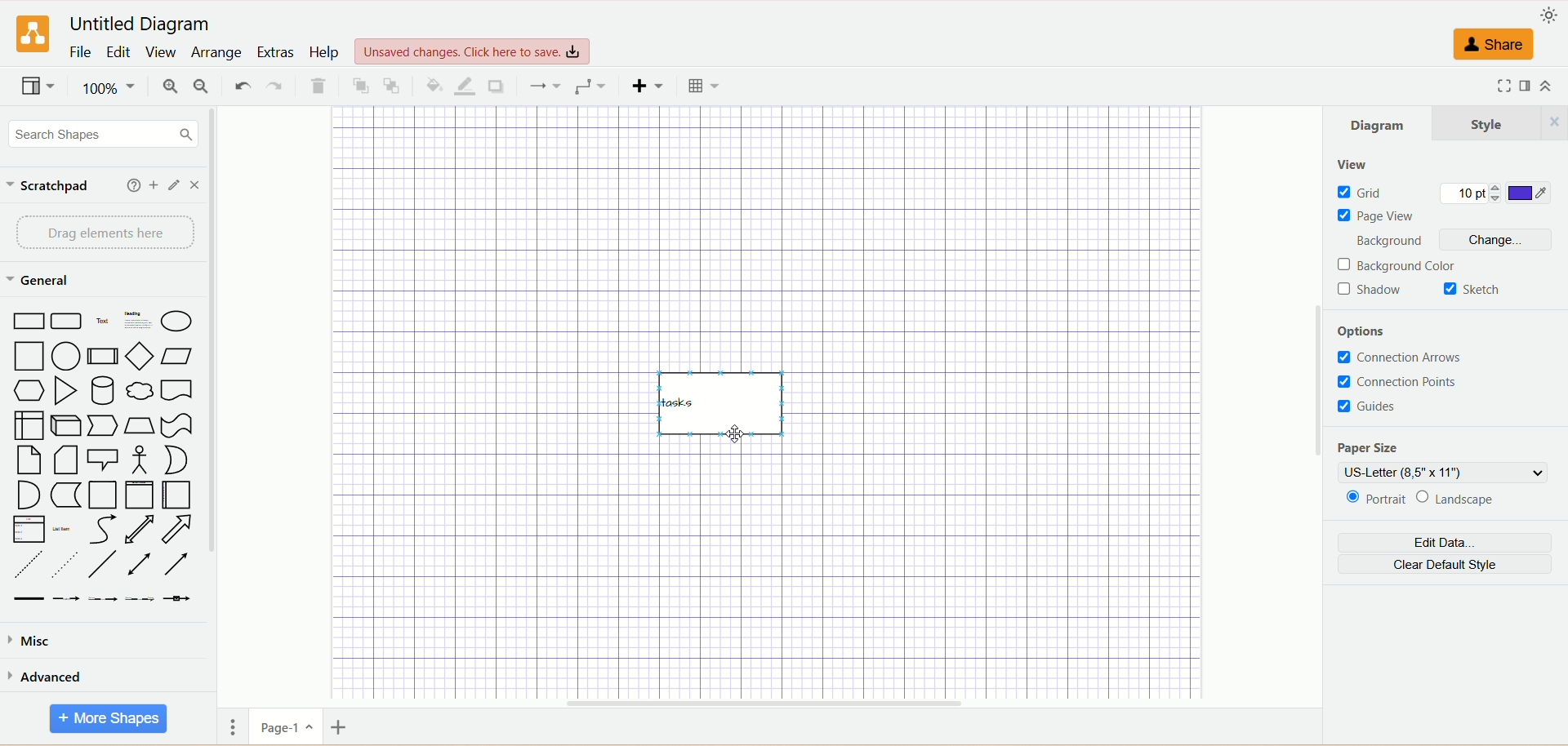  Describe the element at coordinates (140, 599) in the screenshot. I see `Arrow with Triple Break` at that location.